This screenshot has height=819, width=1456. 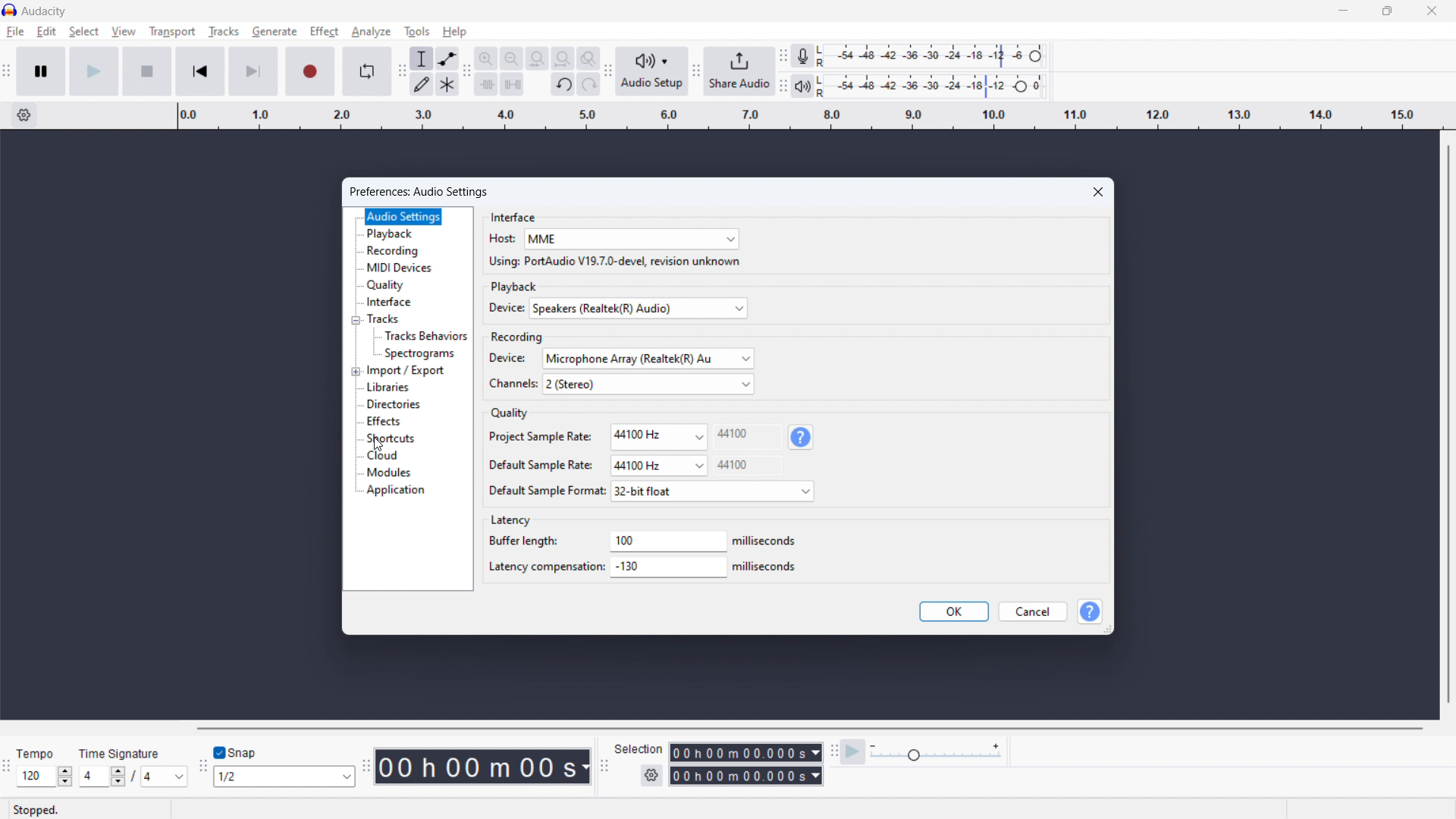 I want to click on playback meter, so click(x=804, y=85).